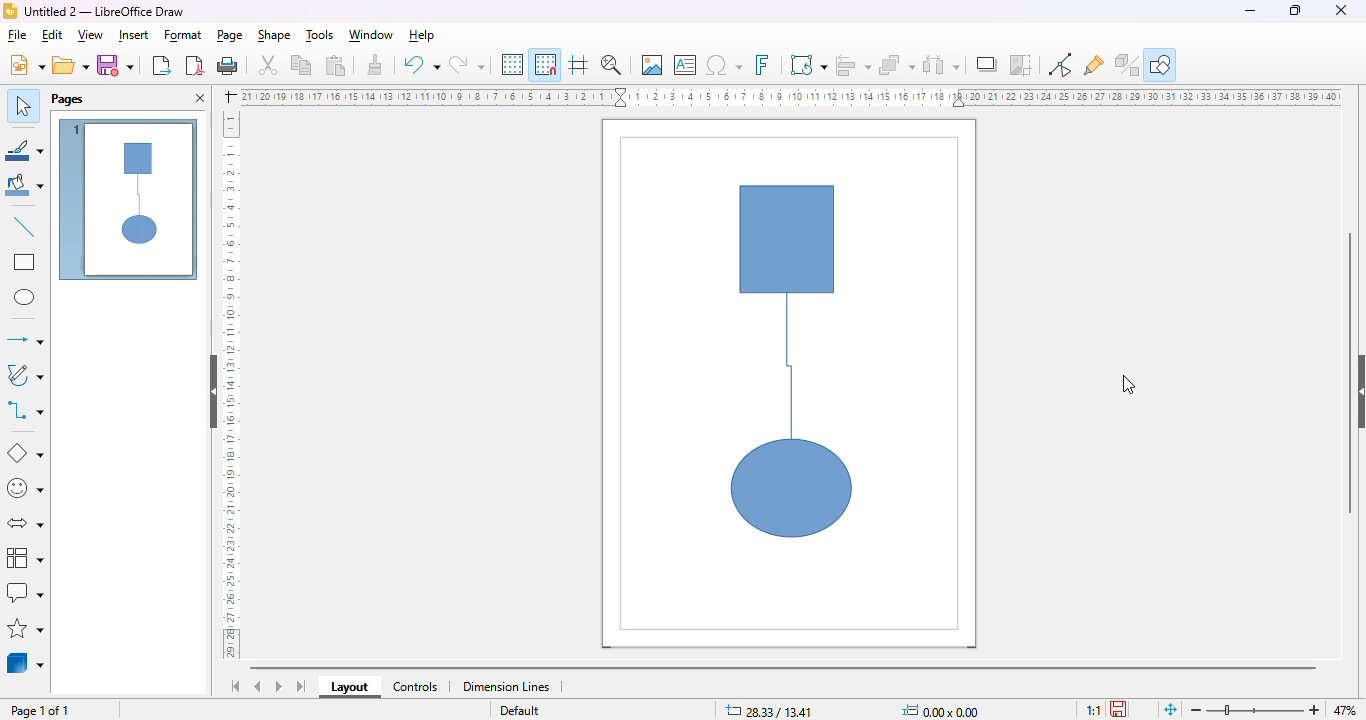 The height and width of the screenshot is (720, 1366). I want to click on view, so click(91, 35).